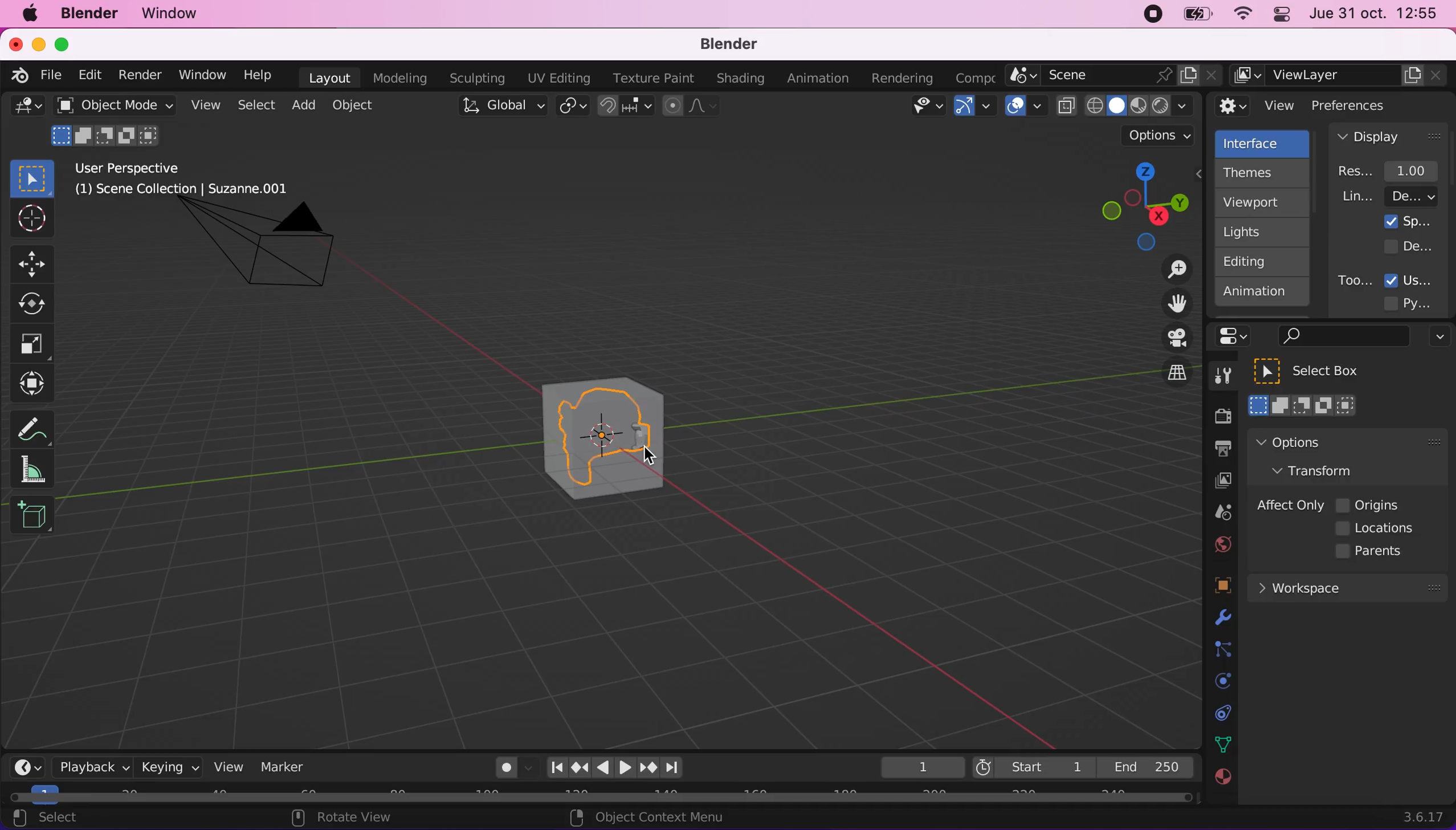  I want to click on jump to end point, so click(553, 768).